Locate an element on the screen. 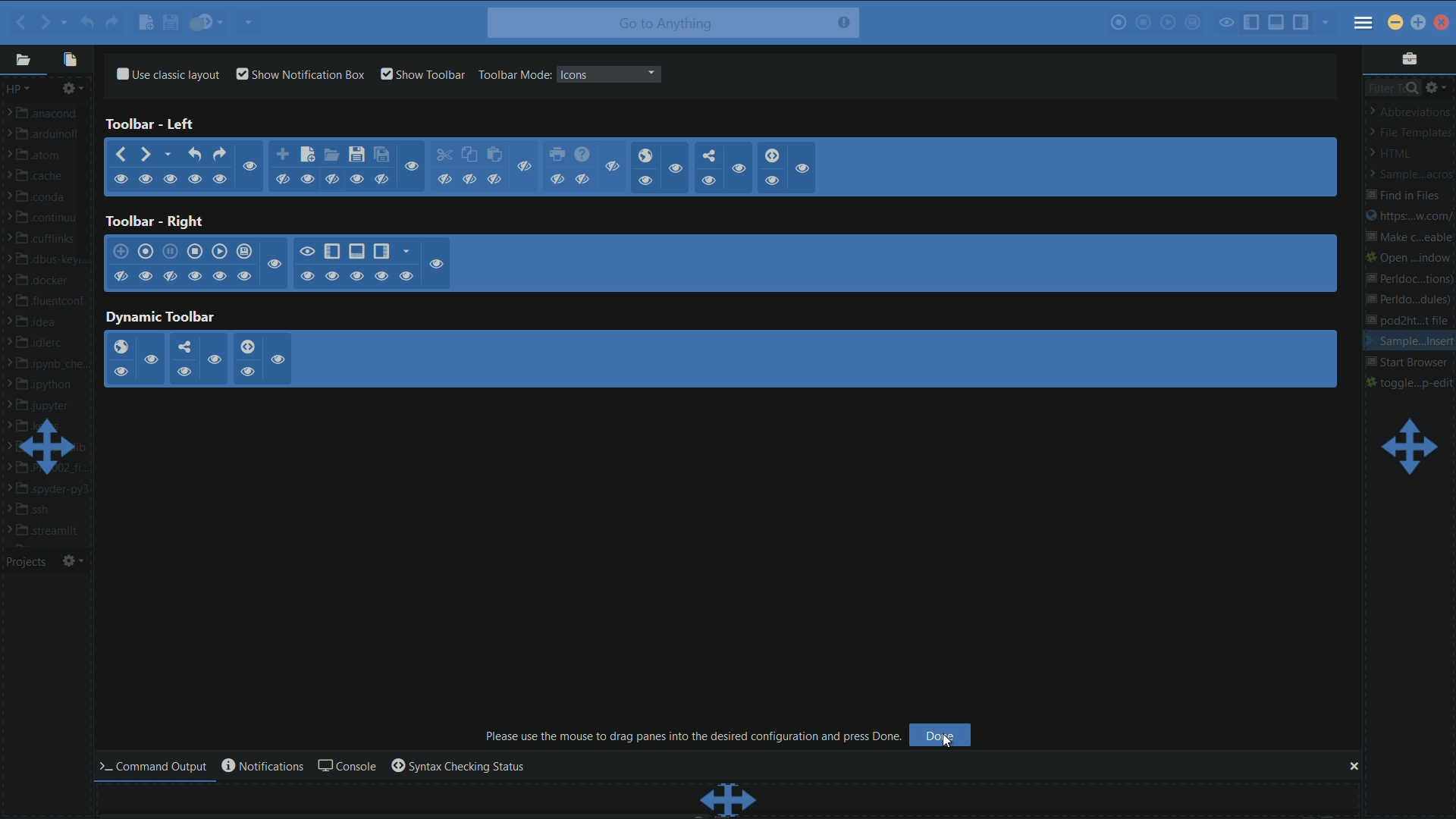  stop macro is located at coordinates (195, 251).